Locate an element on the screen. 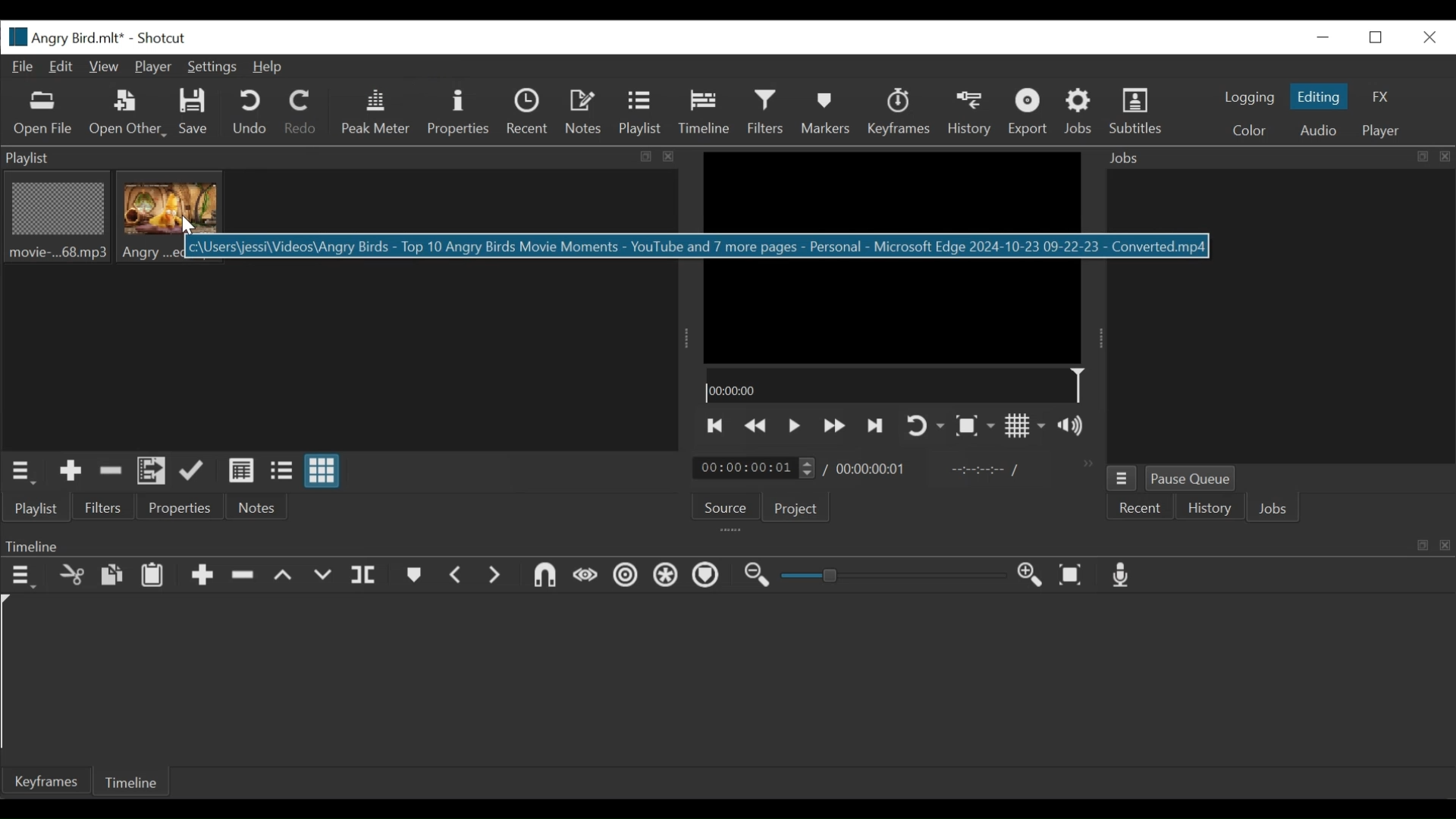  Restore is located at coordinates (1375, 37).